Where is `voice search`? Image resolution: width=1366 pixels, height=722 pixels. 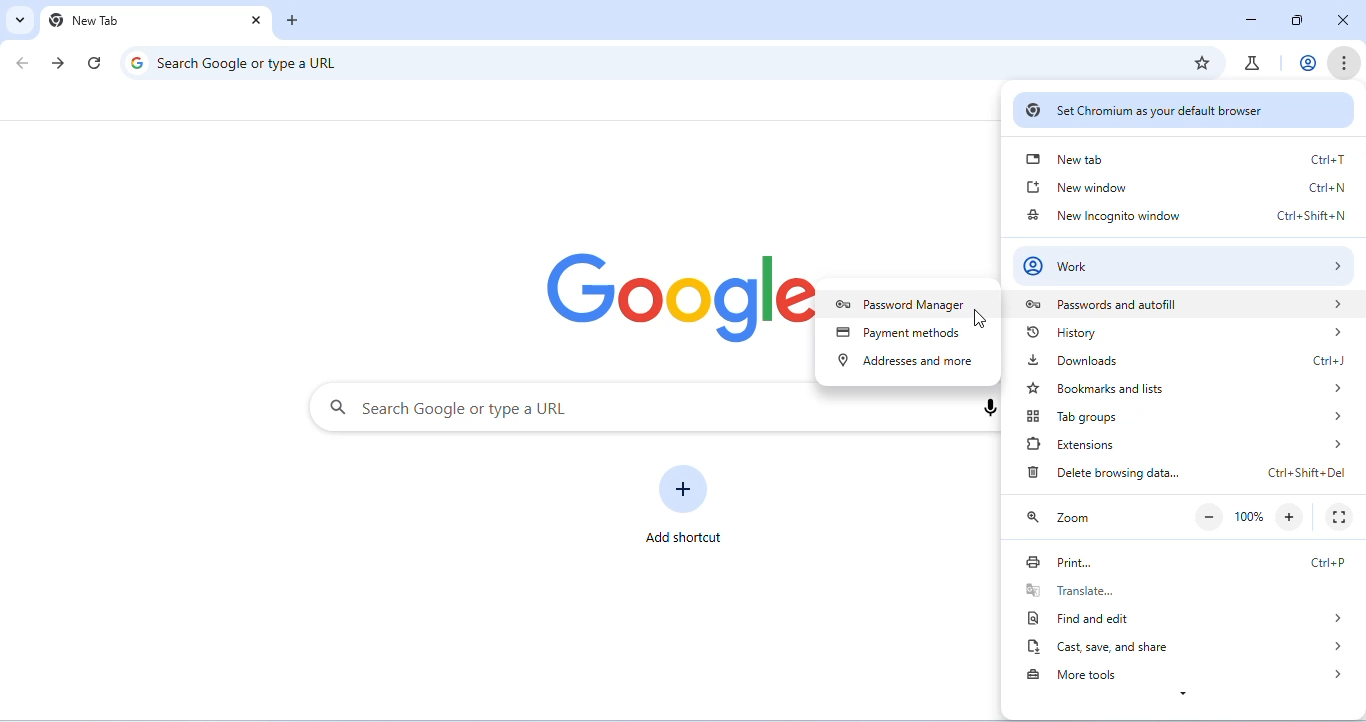
voice search is located at coordinates (986, 408).